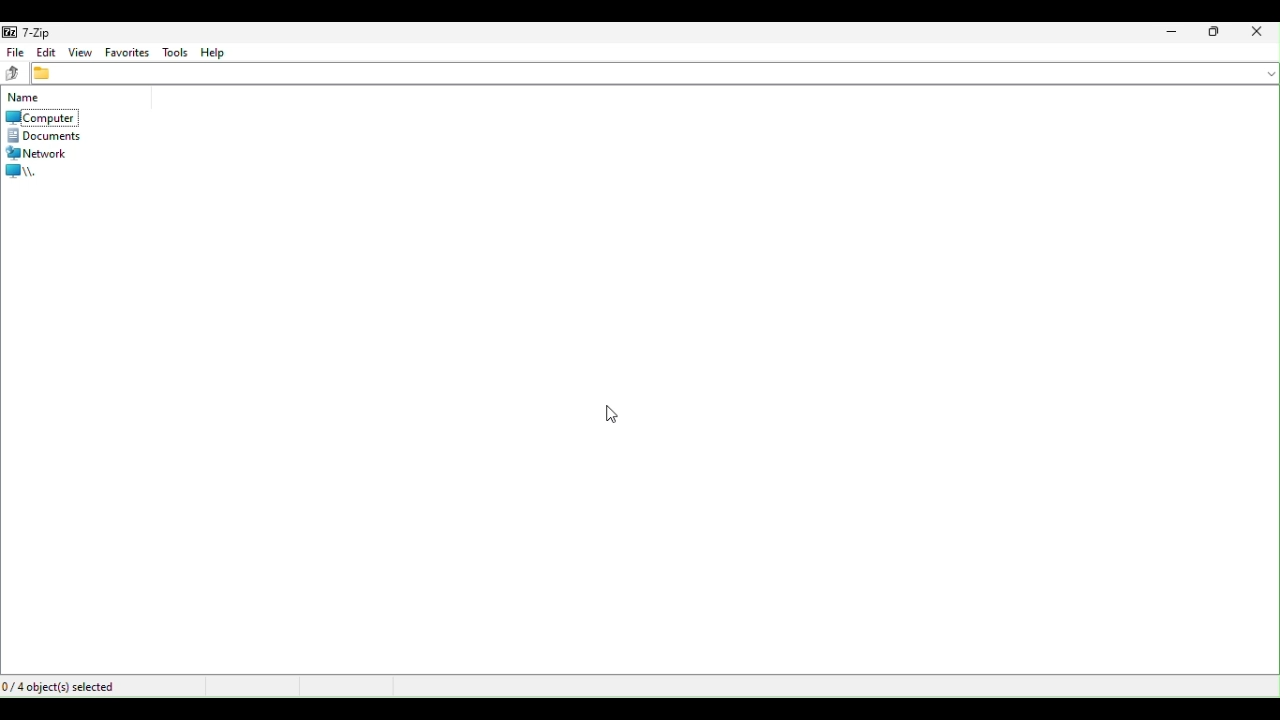  Describe the element at coordinates (655, 73) in the screenshot. I see `File address bar` at that location.